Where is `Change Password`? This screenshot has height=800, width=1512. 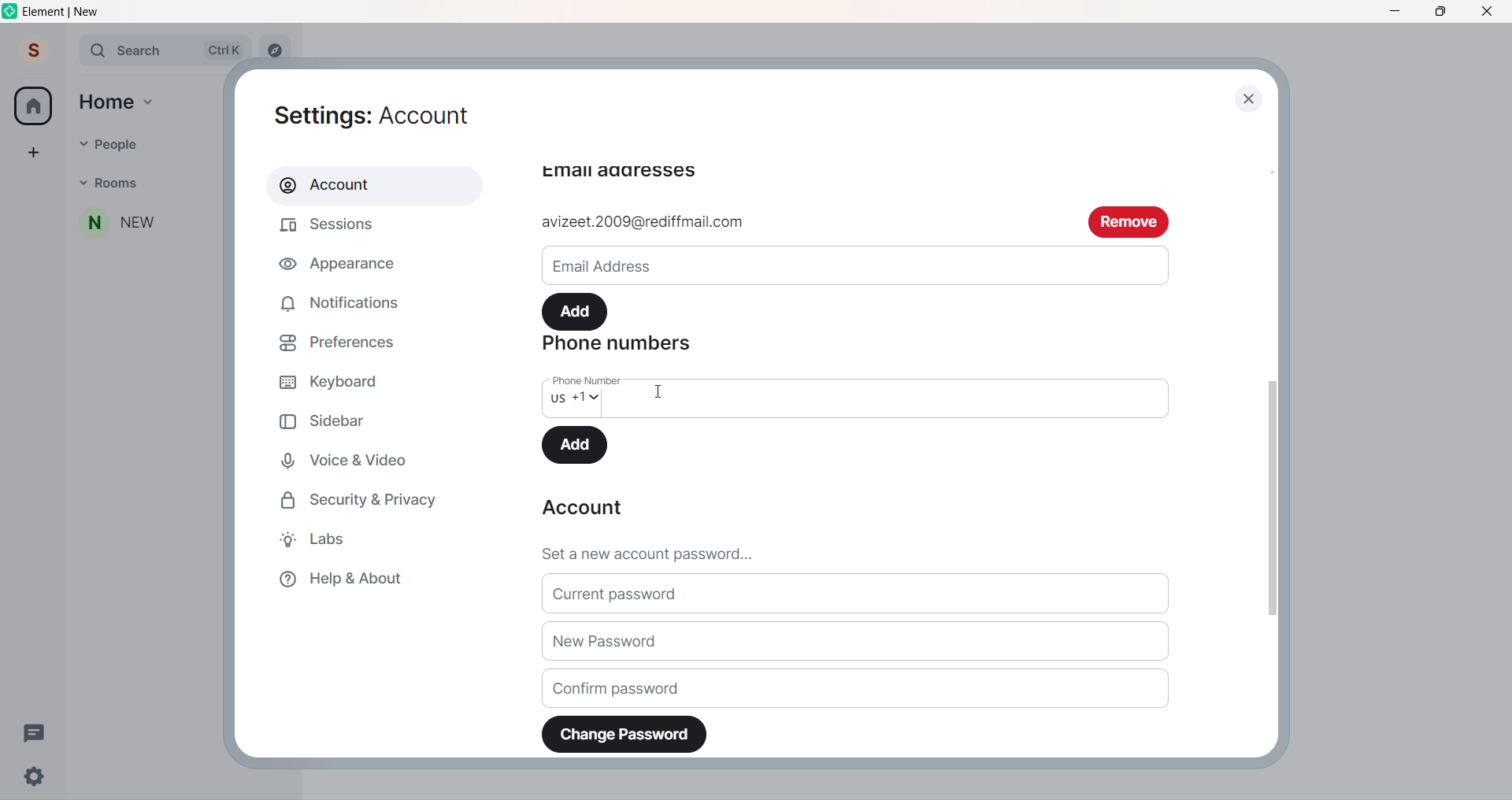
Change Password is located at coordinates (625, 734).